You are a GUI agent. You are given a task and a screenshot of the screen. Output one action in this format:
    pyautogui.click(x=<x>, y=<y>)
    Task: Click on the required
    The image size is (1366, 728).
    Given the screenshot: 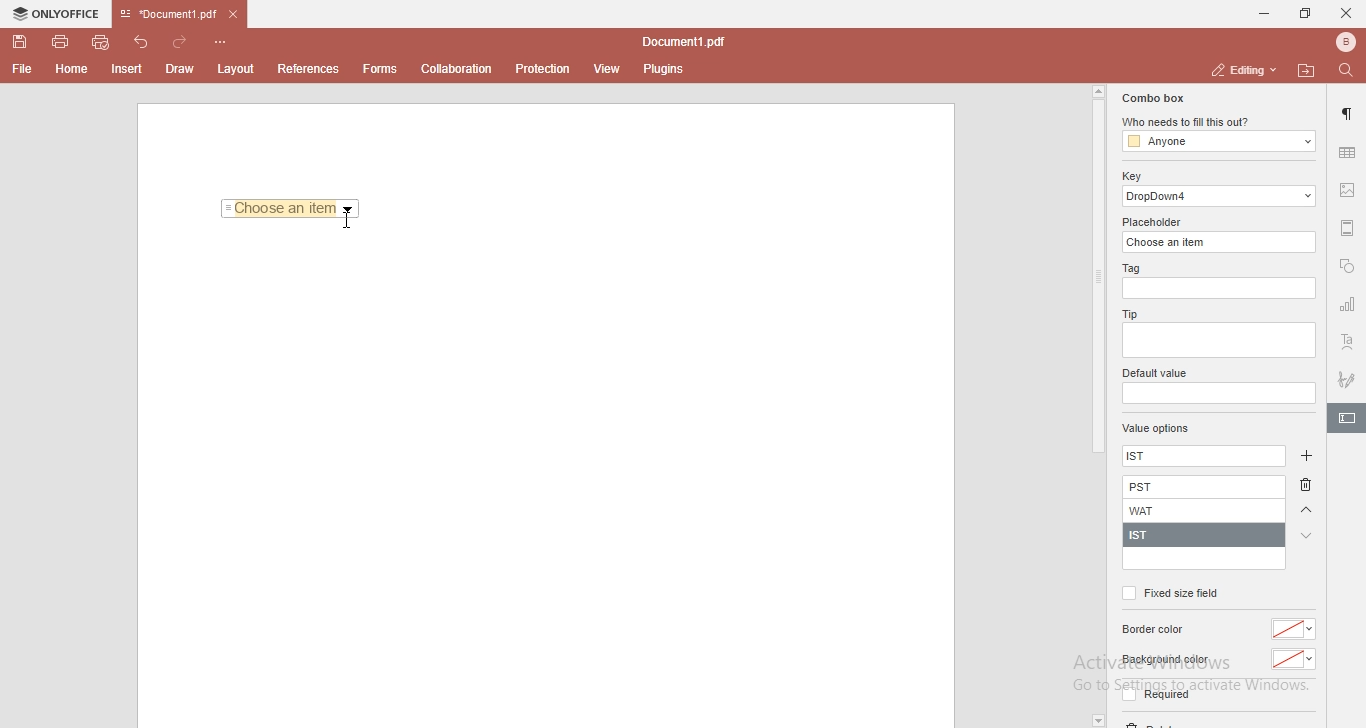 What is the action you would take?
    pyautogui.click(x=1154, y=698)
    